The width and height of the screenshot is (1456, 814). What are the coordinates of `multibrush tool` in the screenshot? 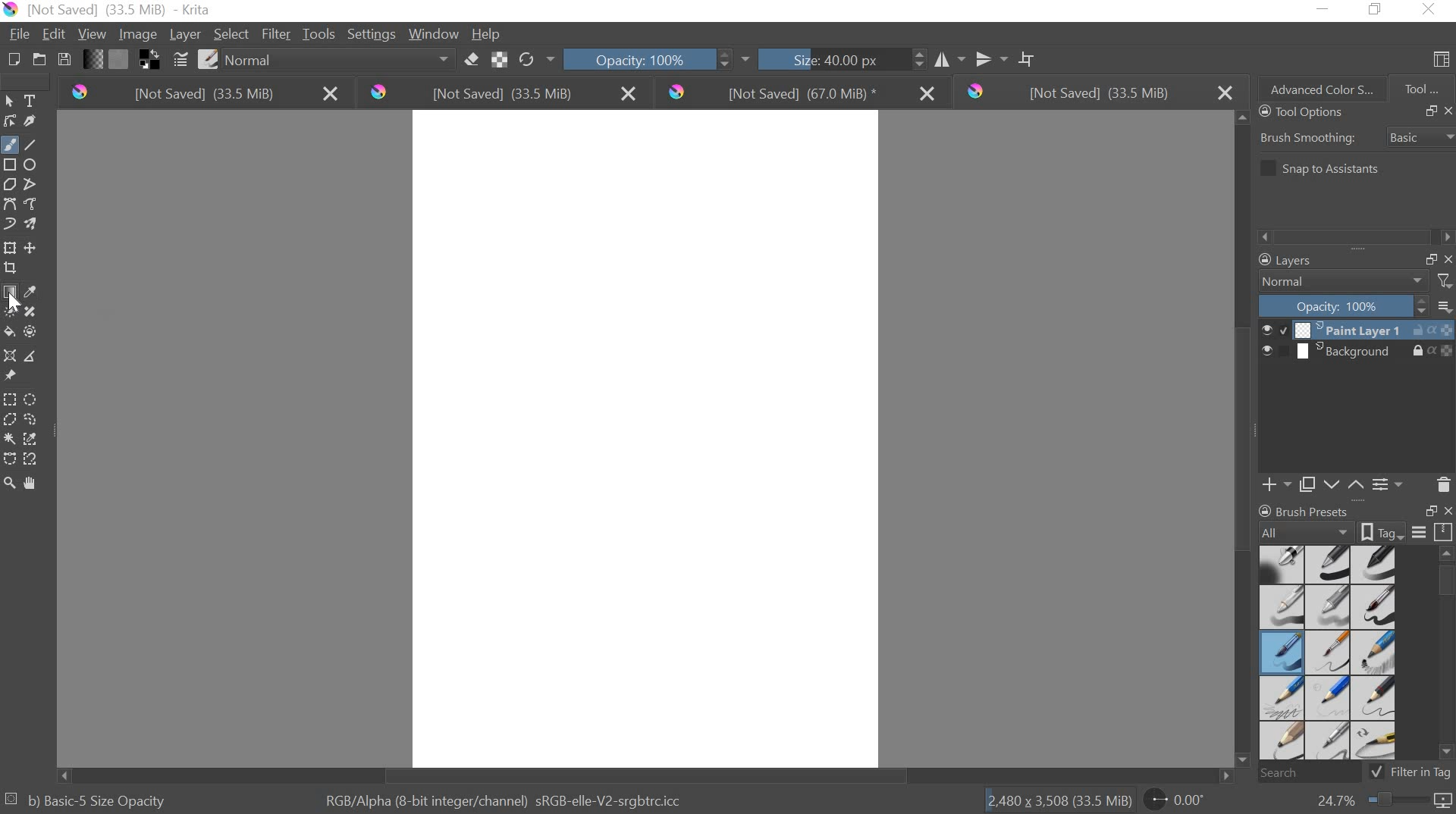 It's located at (33, 222).